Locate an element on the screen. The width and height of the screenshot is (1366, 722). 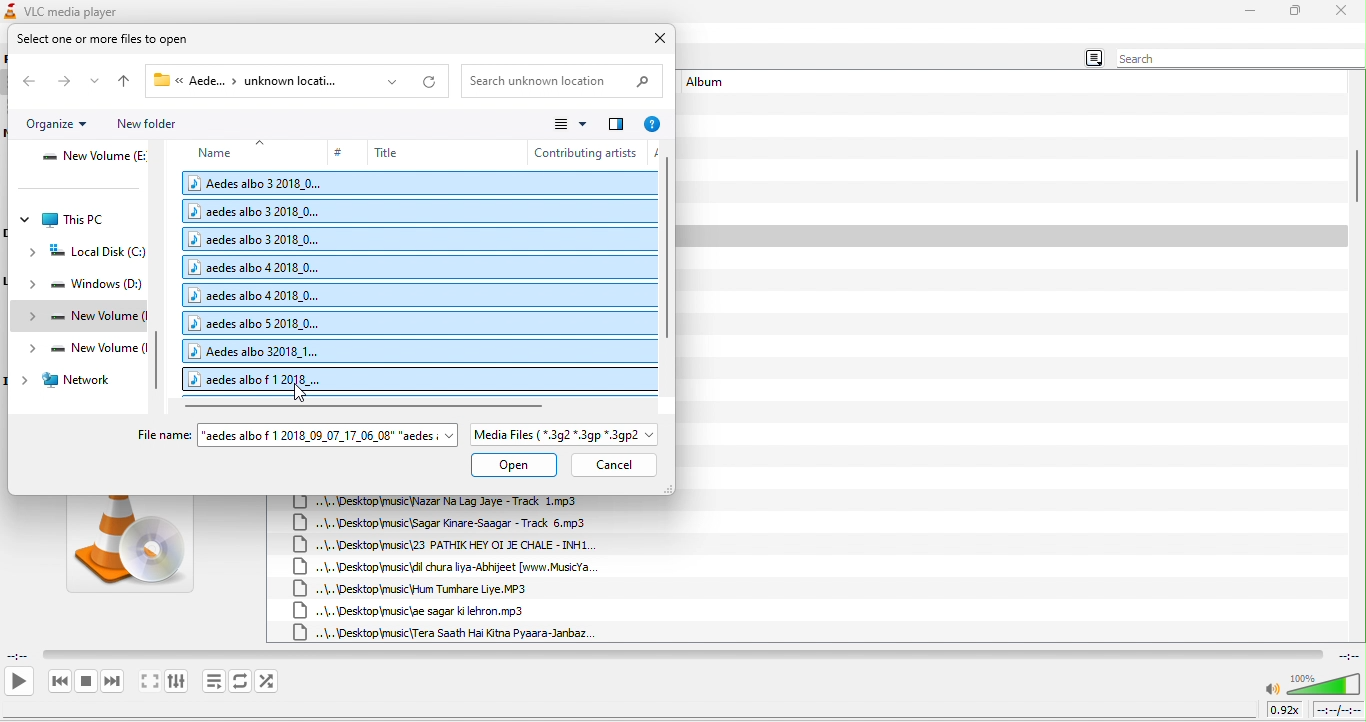
\..\Desktop\music\Nazar Na Lag Jaye - Track 1.mp3 is located at coordinates (450, 502).